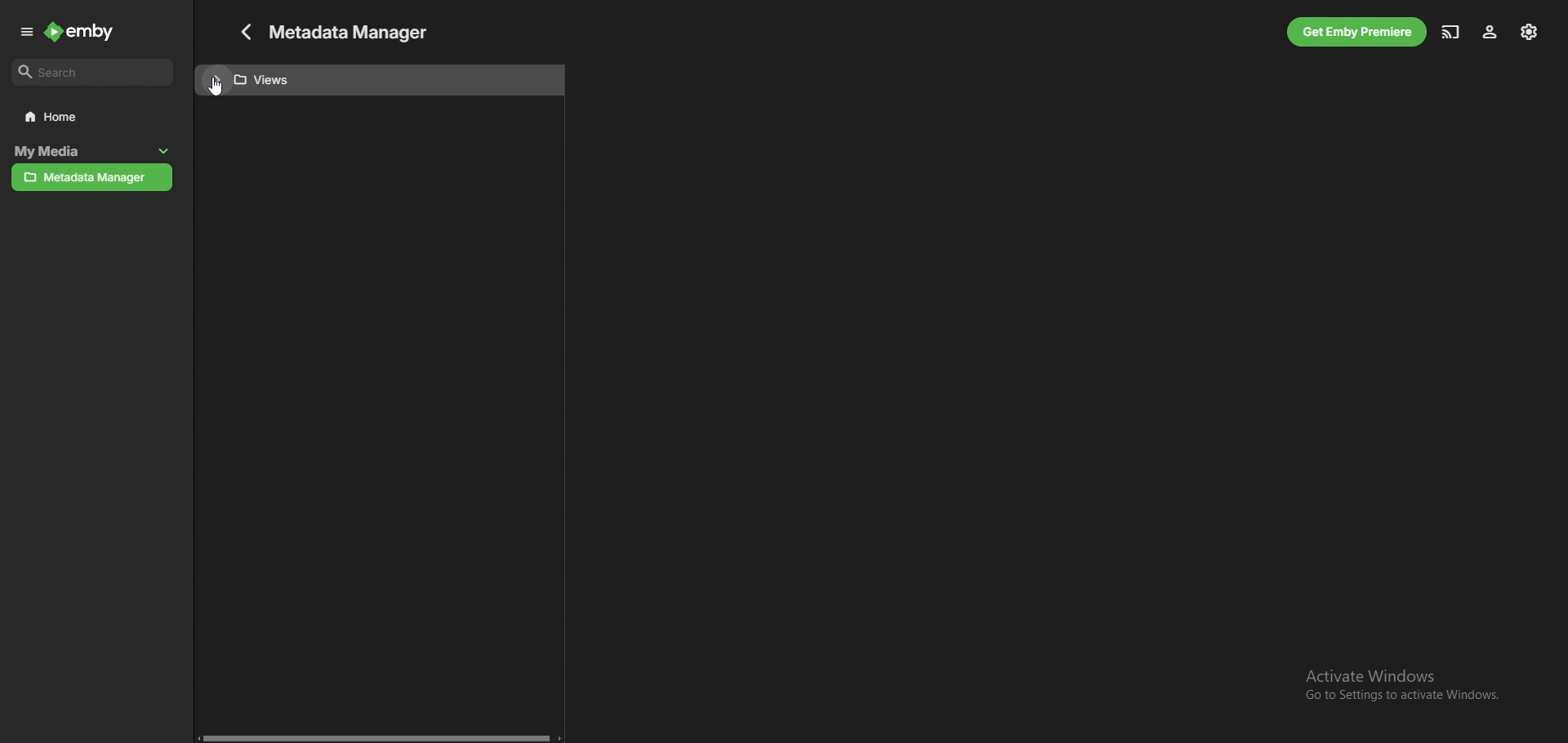 The height and width of the screenshot is (743, 1568). What do you see at coordinates (377, 737) in the screenshot?
I see `horizontal scroll` at bounding box center [377, 737].